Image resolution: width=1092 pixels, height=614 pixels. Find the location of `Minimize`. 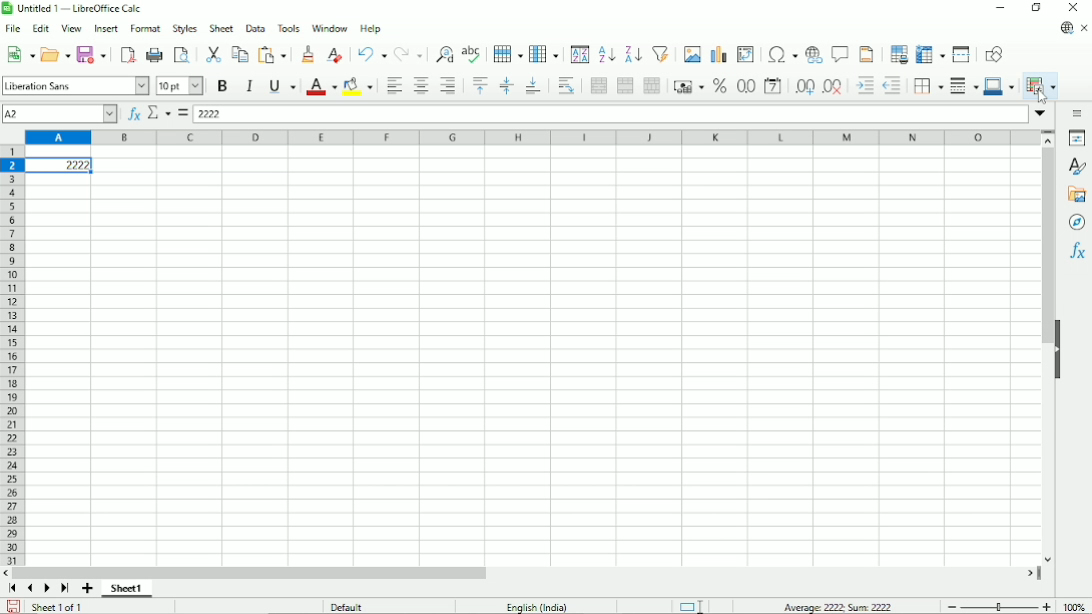

Minimize is located at coordinates (999, 7).